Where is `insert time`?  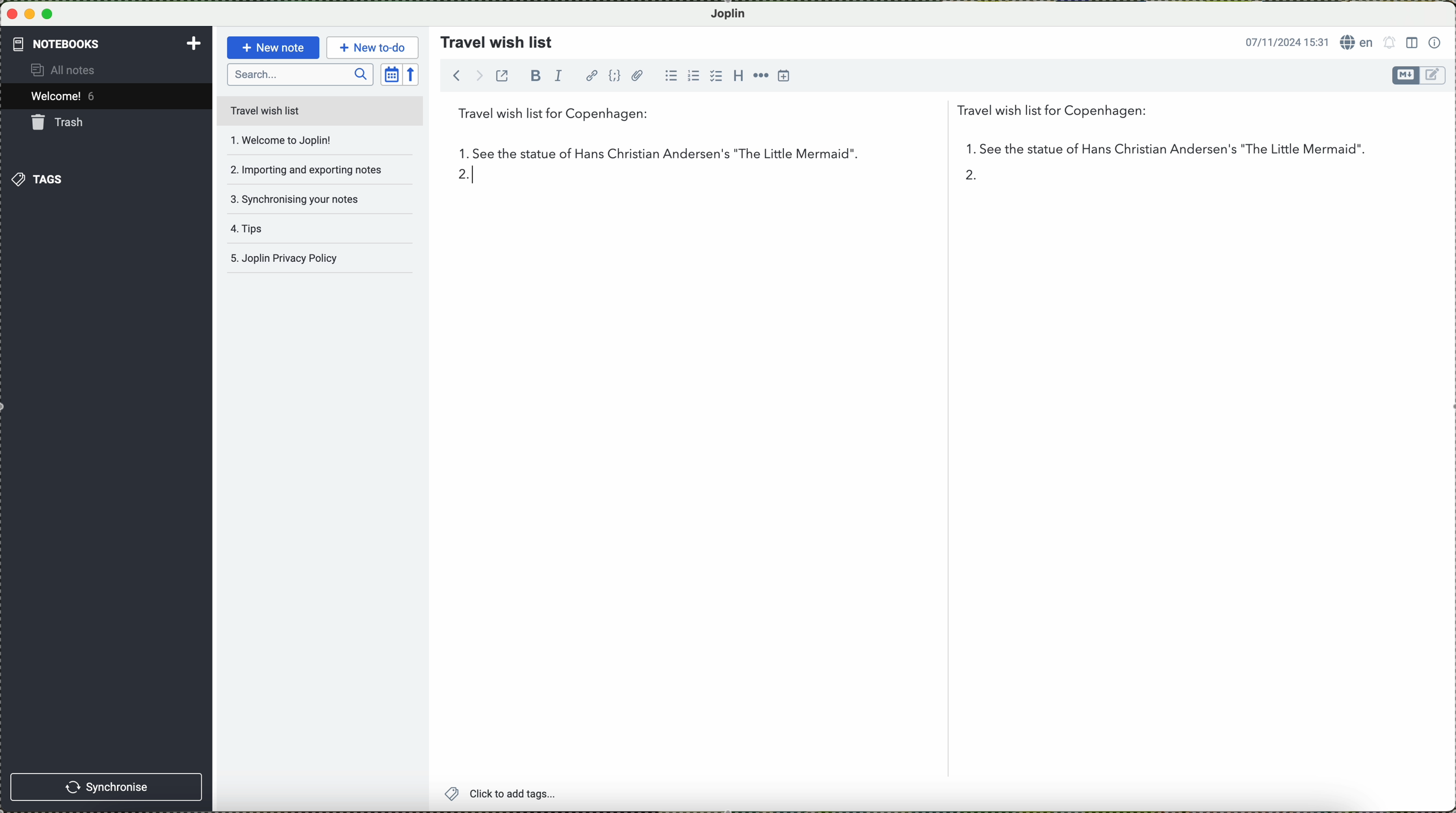 insert time is located at coordinates (785, 77).